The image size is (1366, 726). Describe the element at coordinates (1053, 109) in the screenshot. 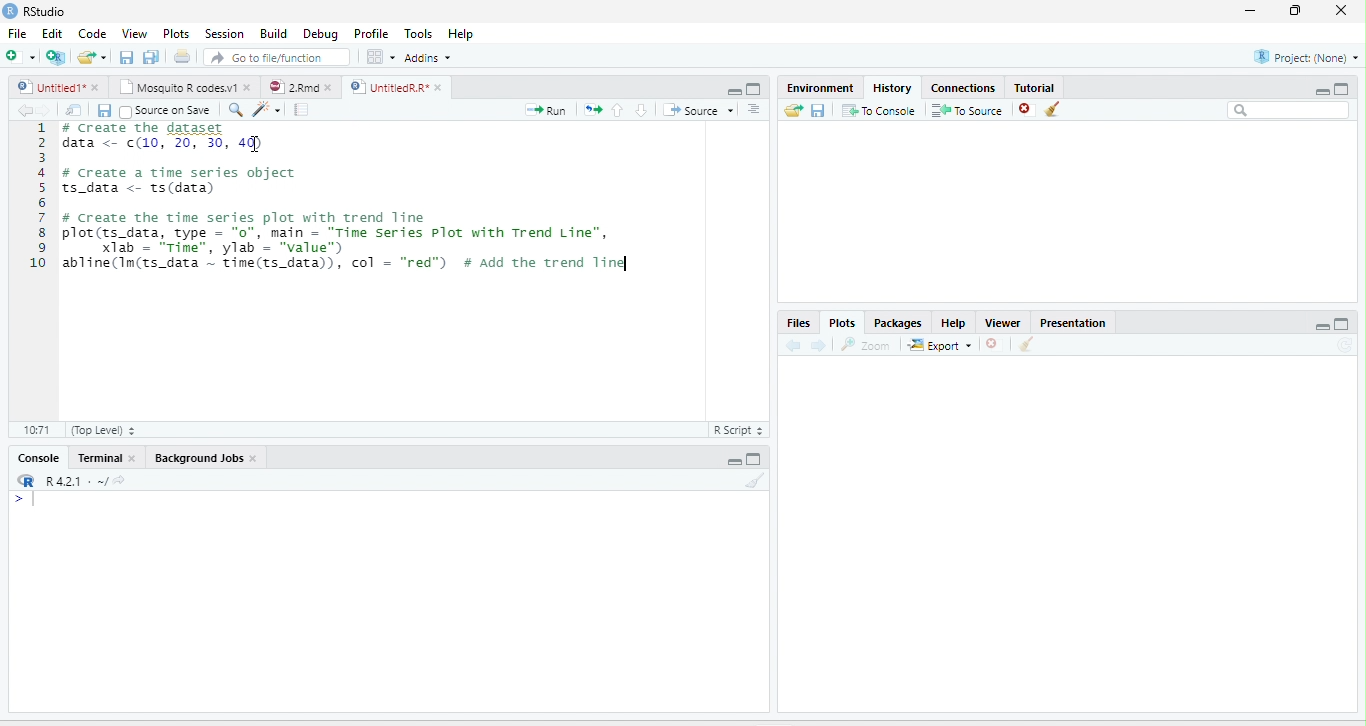

I see `Clear all history entries` at that location.